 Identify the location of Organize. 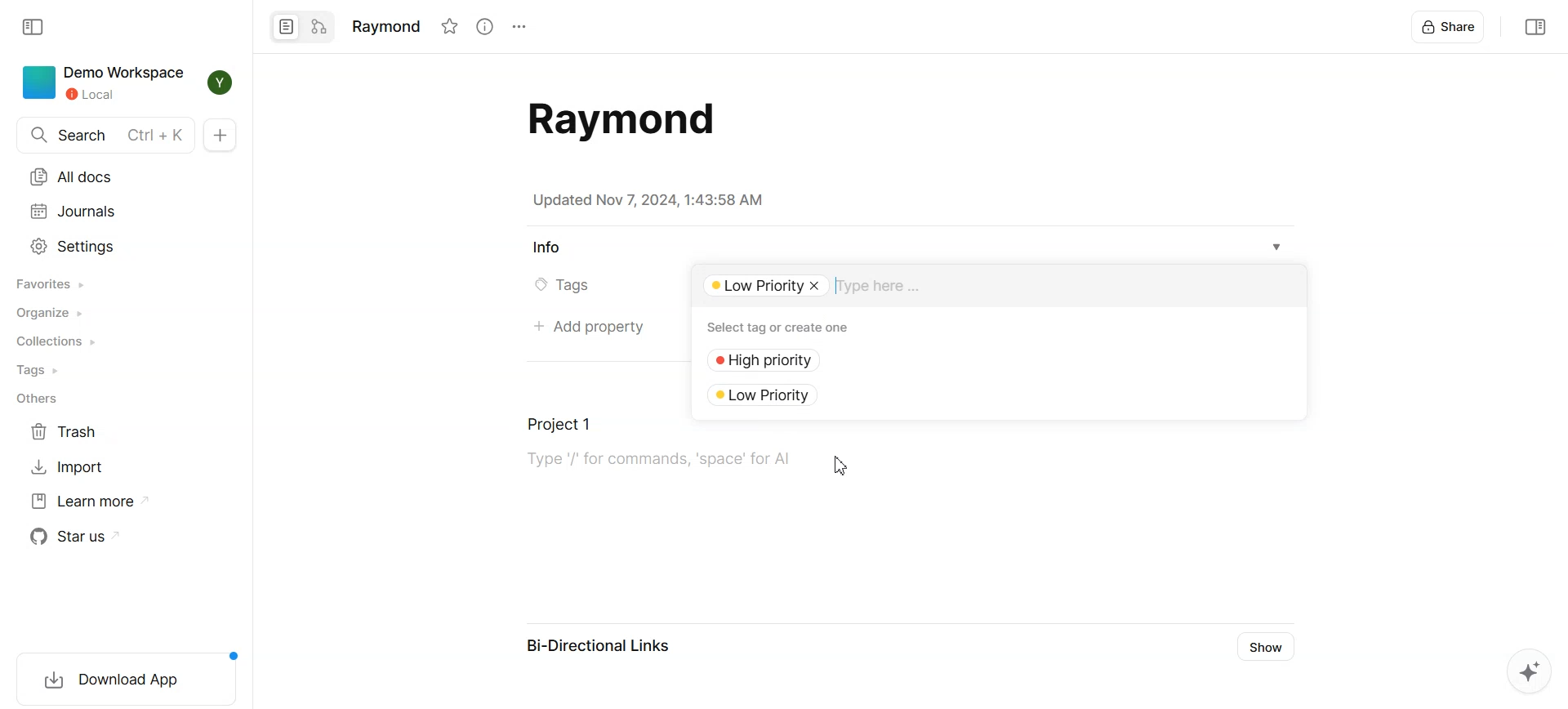
(53, 313).